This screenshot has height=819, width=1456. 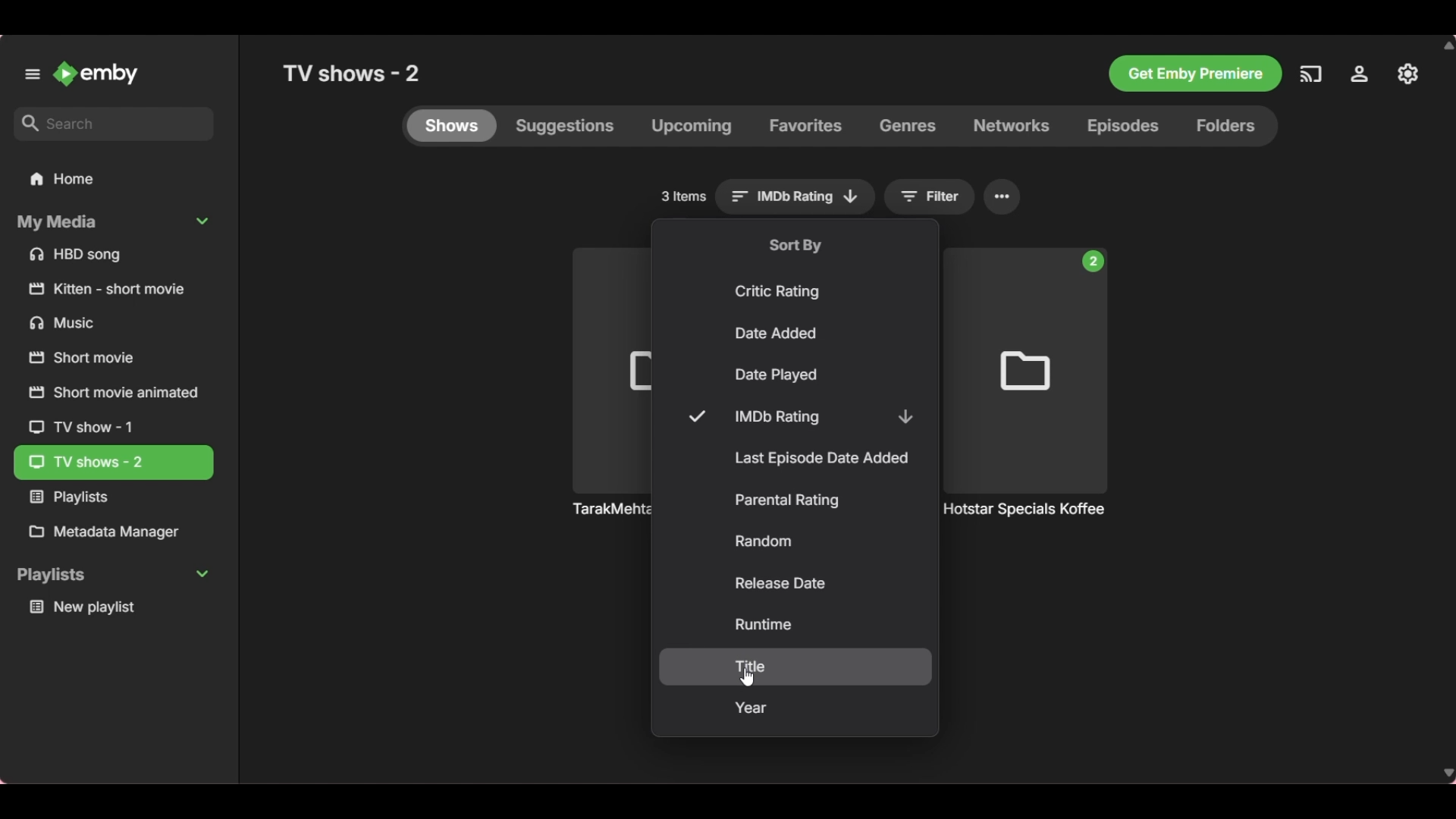 I want to click on Title of current selection, so click(x=354, y=72).